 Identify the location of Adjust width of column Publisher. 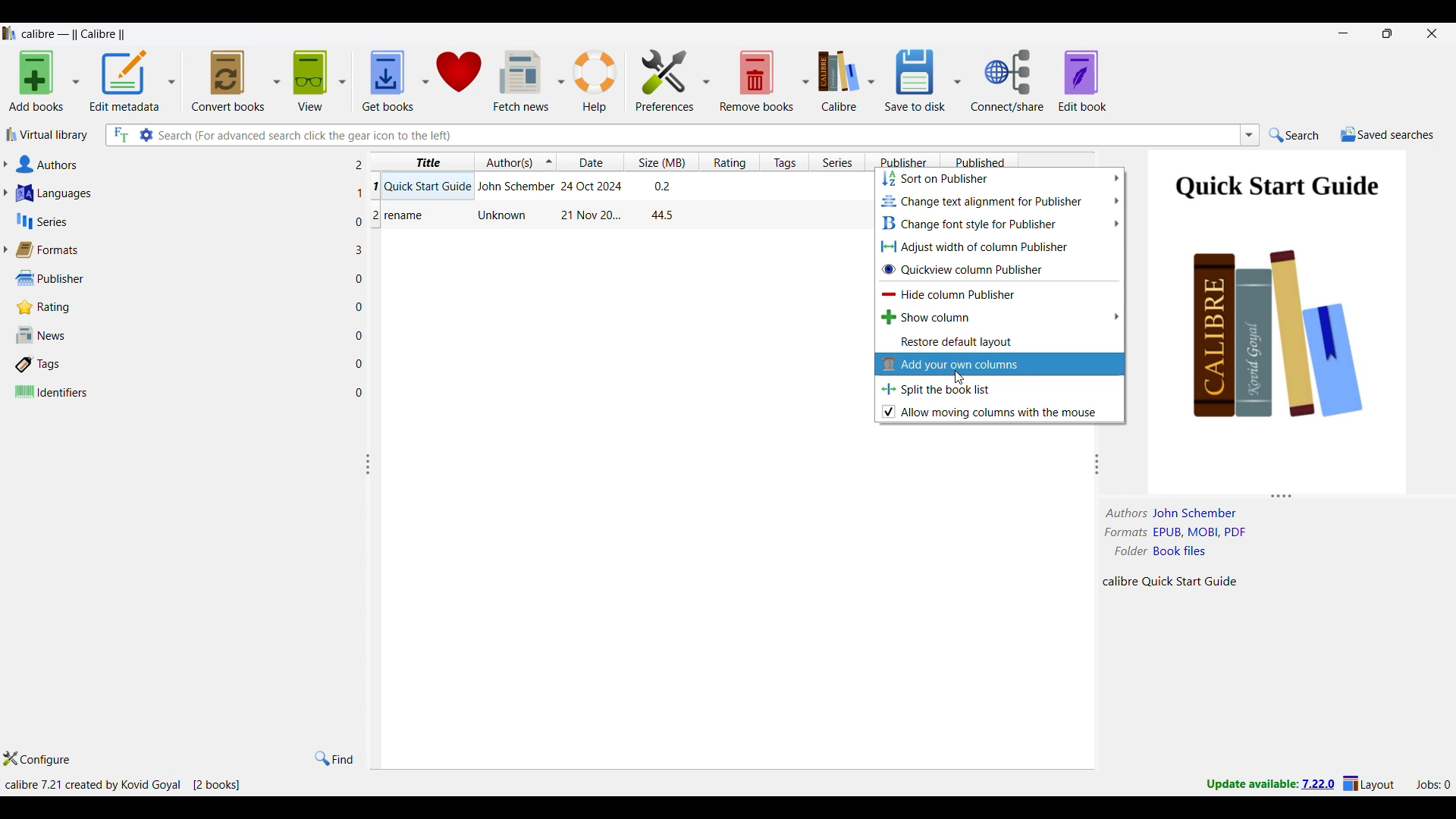
(999, 246).